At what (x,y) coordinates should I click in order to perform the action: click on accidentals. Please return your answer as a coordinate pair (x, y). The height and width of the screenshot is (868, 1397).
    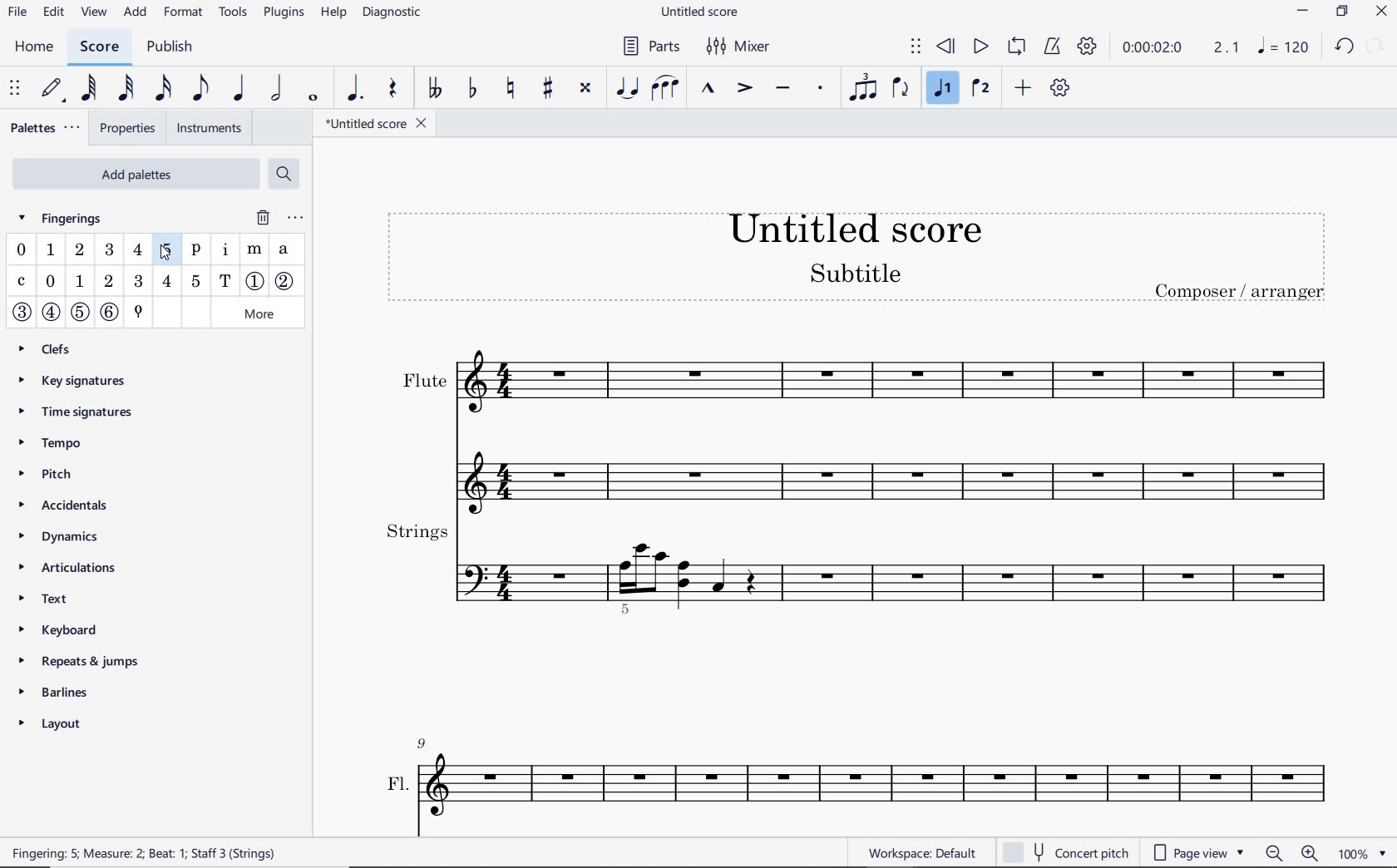
    Looking at the image, I should click on (69, 505).